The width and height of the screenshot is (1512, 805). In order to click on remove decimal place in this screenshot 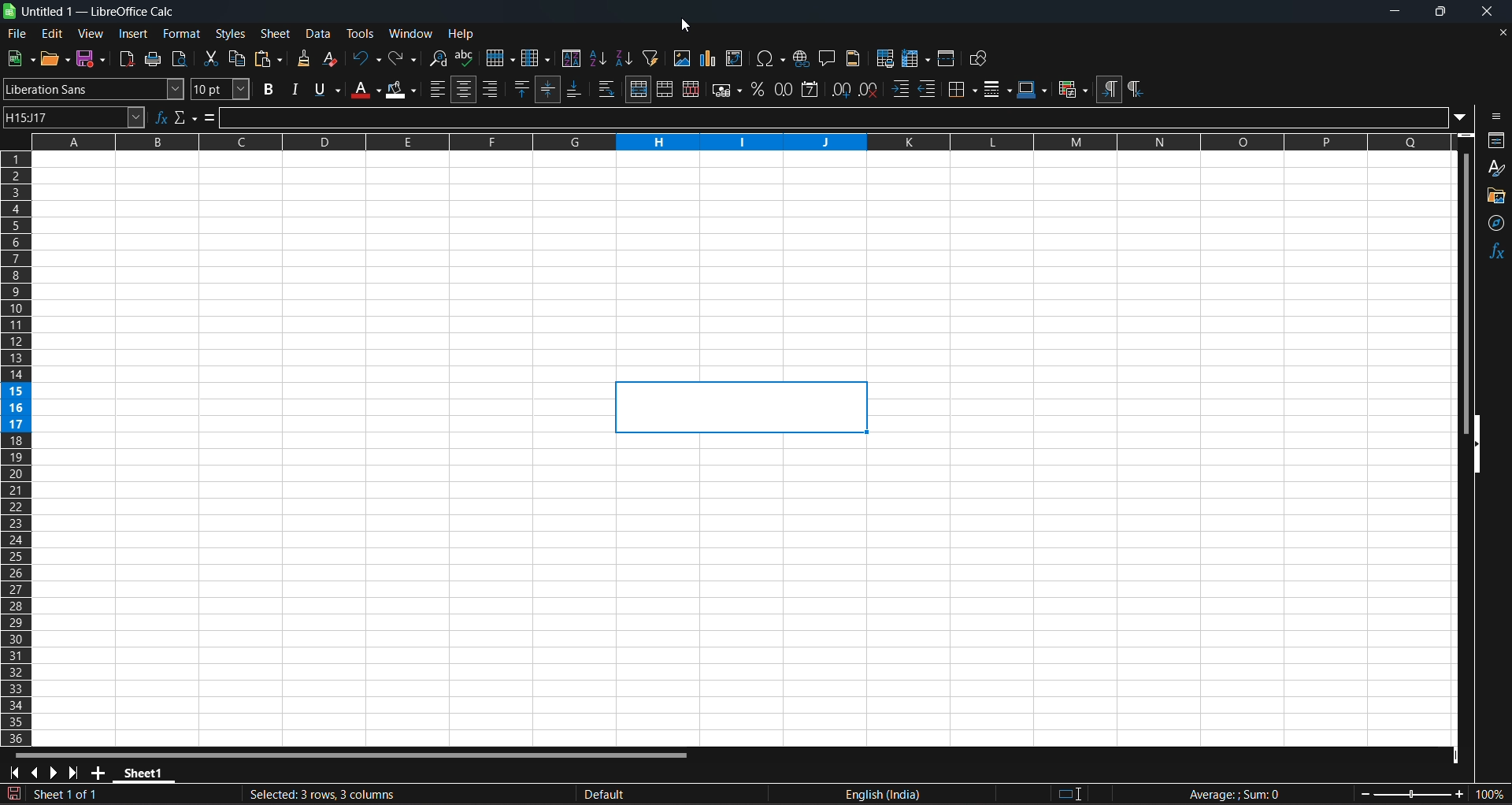, I will do `click(872, 90)`.